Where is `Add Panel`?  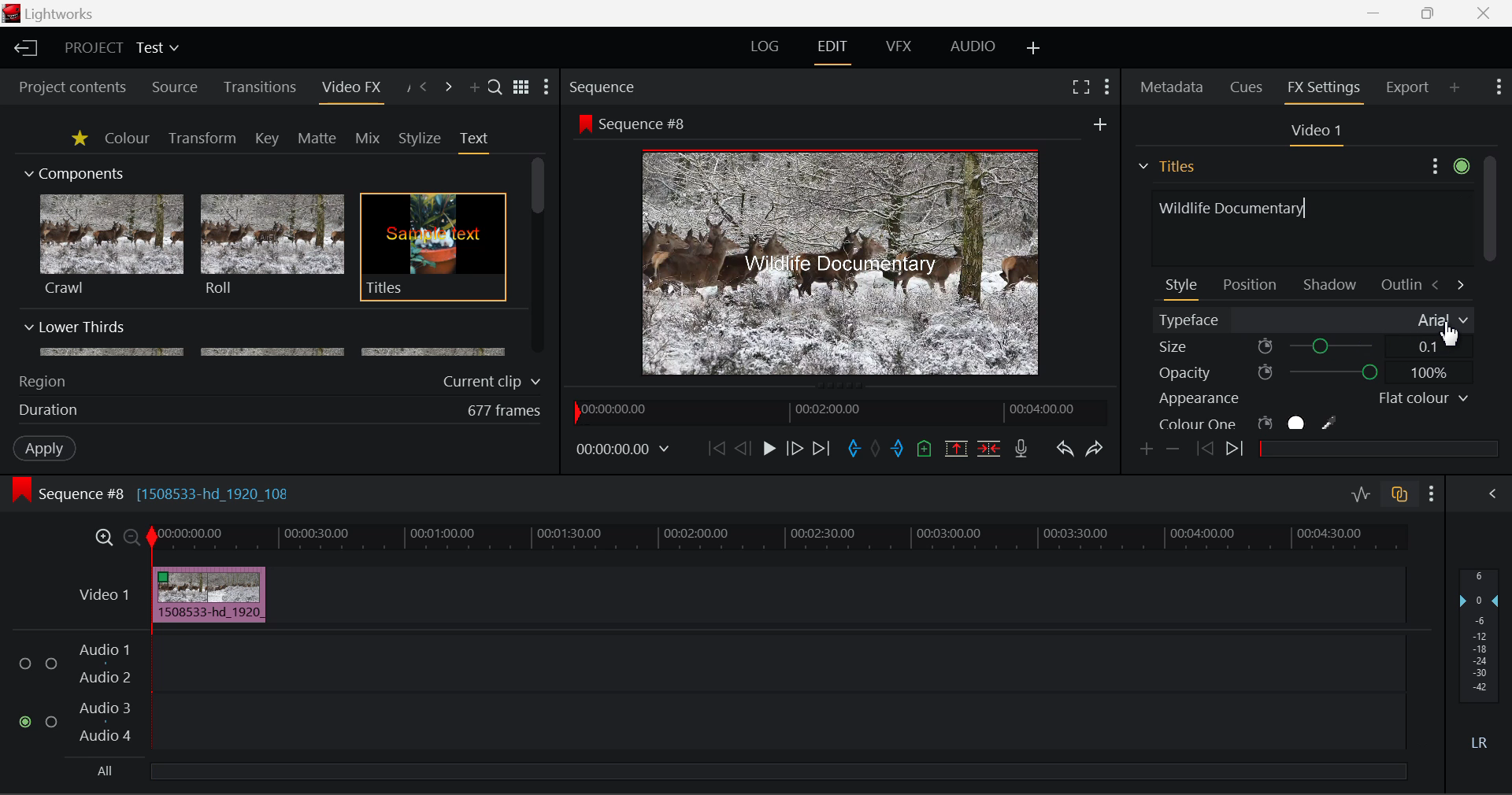 Add Panel is located at coordinates (1455, 87).